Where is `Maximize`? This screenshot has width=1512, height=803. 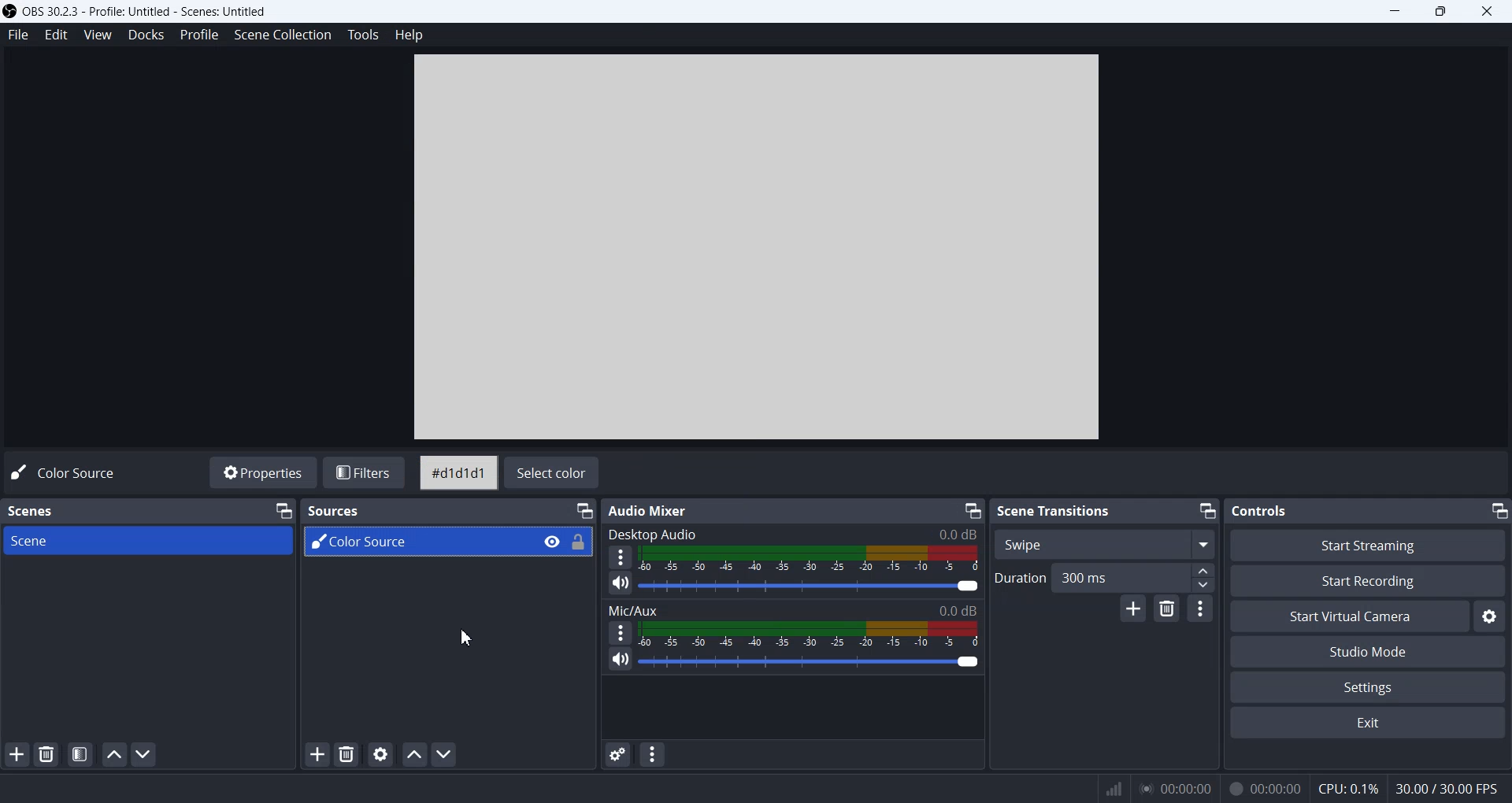 Maximize is located at coordinates (1443, 12).